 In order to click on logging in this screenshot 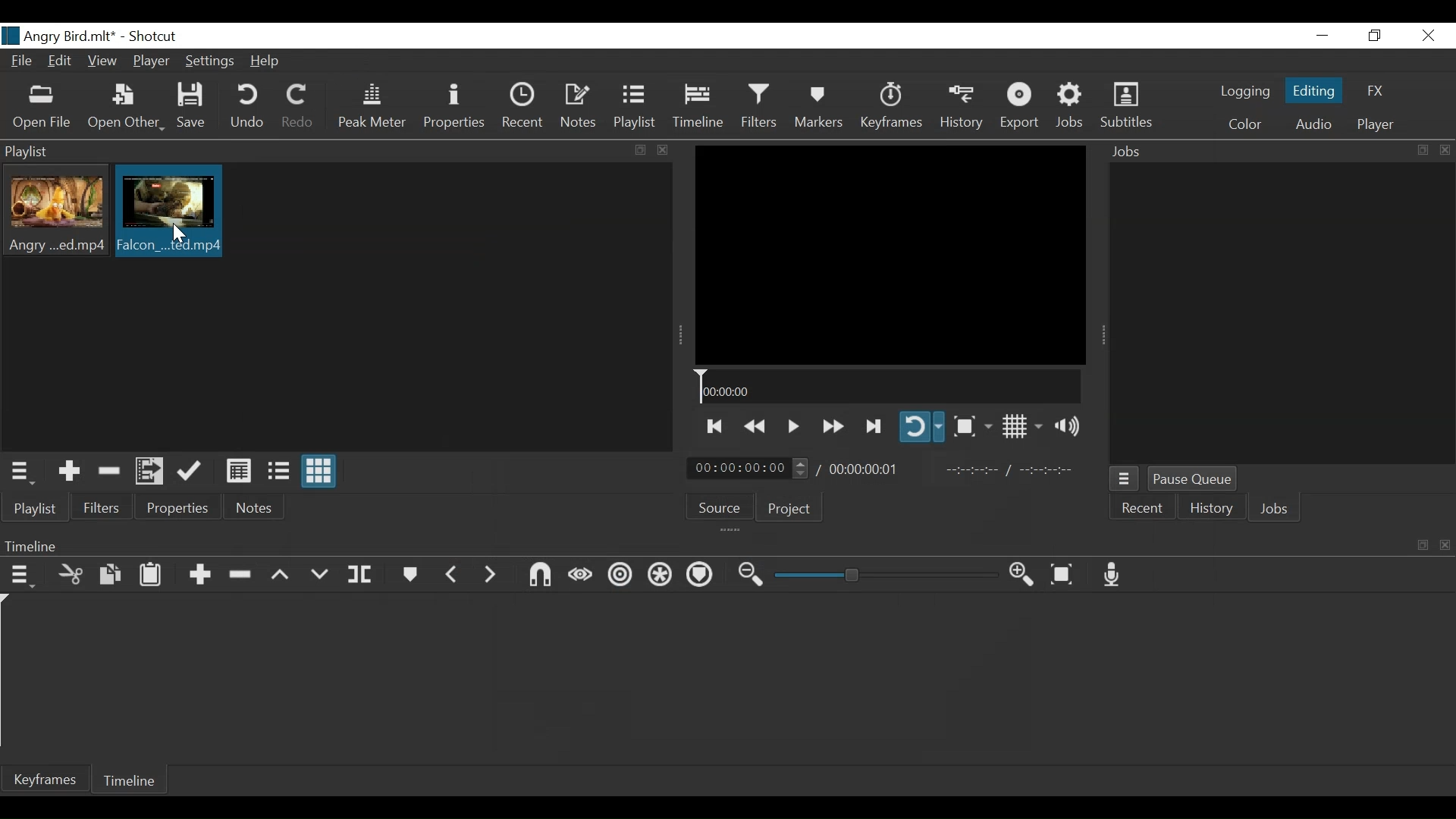, I will do `click(1245, 93)`.